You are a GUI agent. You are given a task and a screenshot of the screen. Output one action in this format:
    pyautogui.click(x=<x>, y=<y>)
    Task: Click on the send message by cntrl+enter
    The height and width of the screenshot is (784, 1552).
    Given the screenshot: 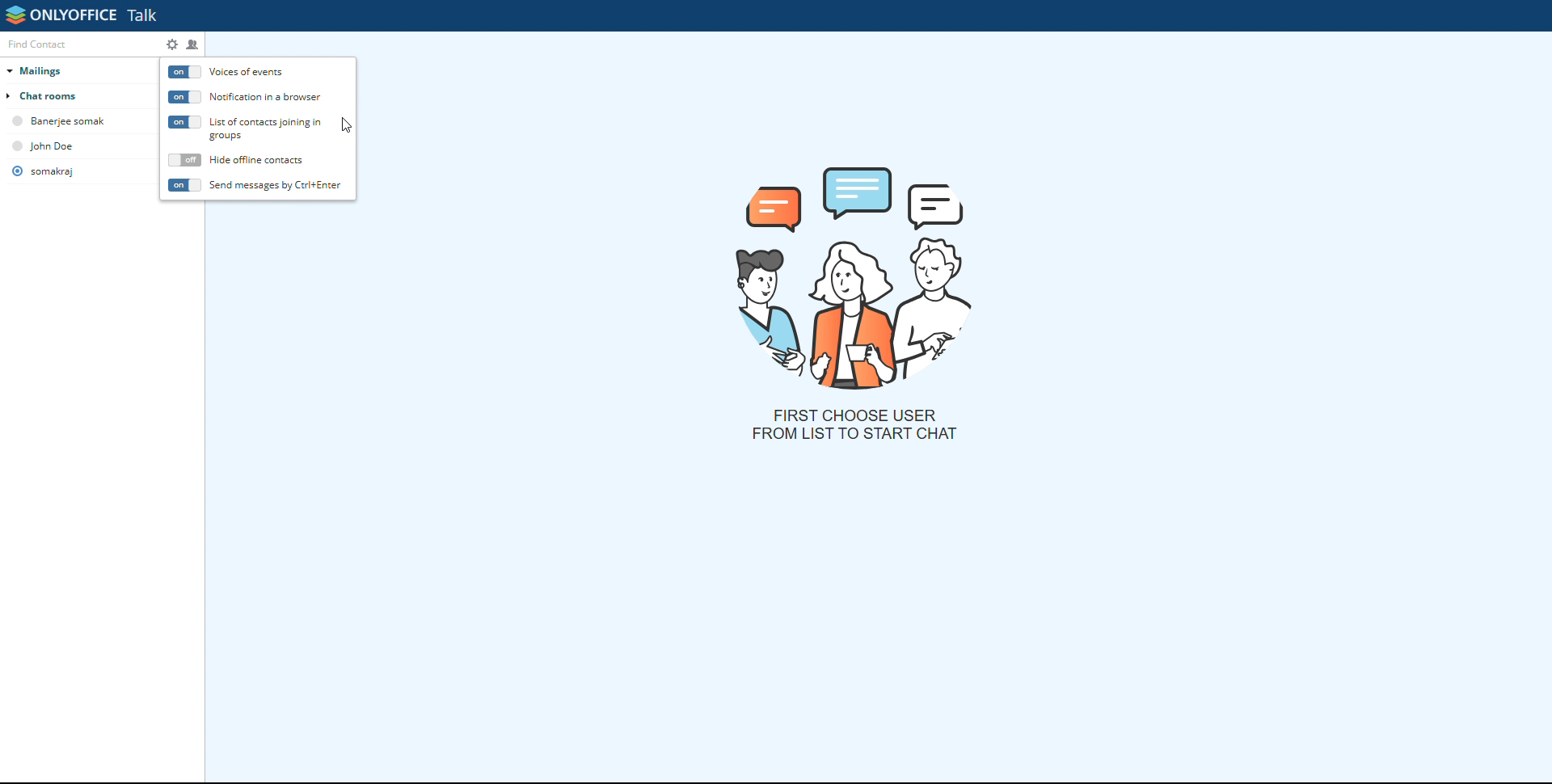 What is the action you would take?
    pyautogui.click(x=183, y=185)
    